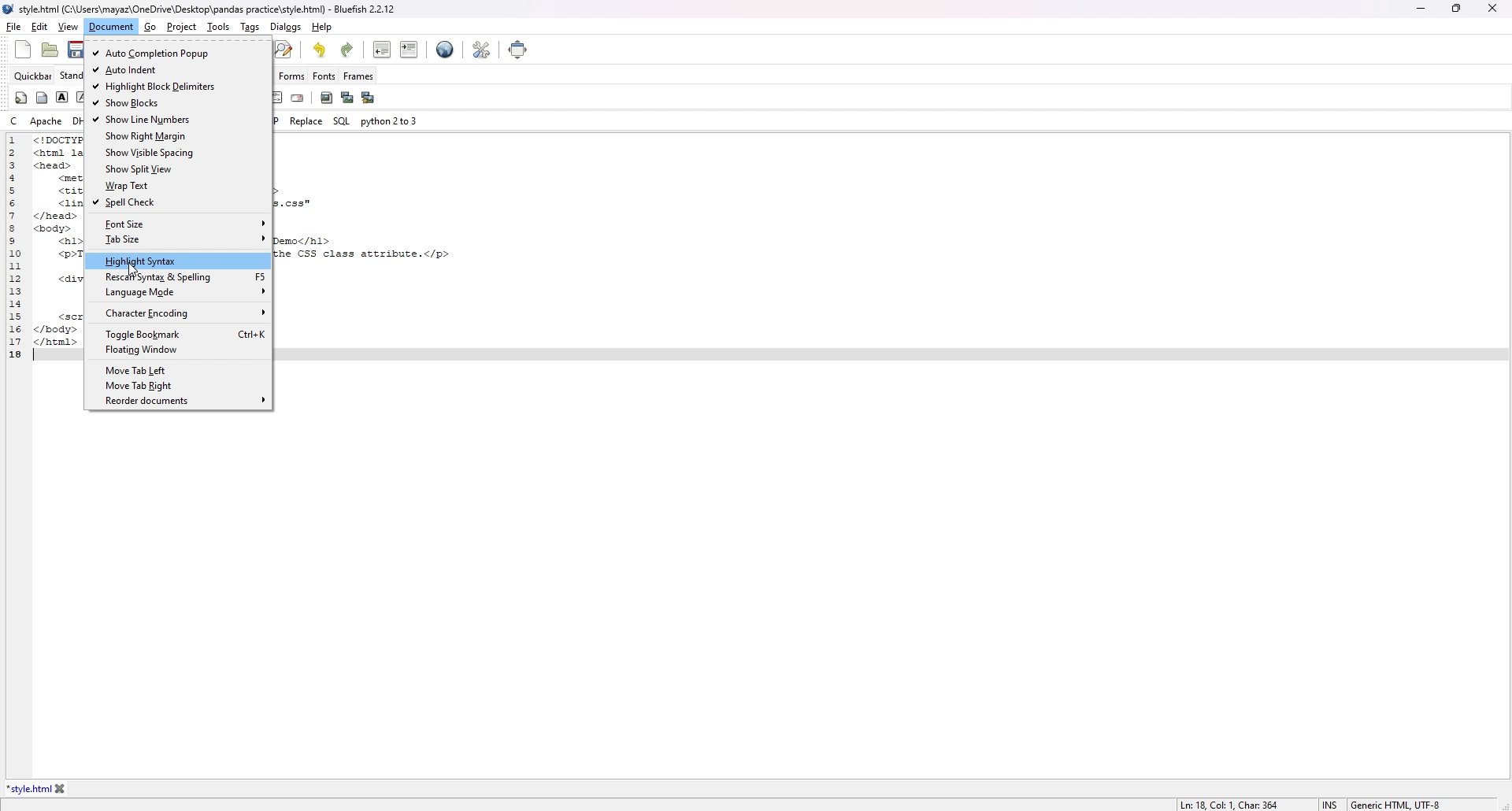  I want to click on quickbar, so click(33, 76).